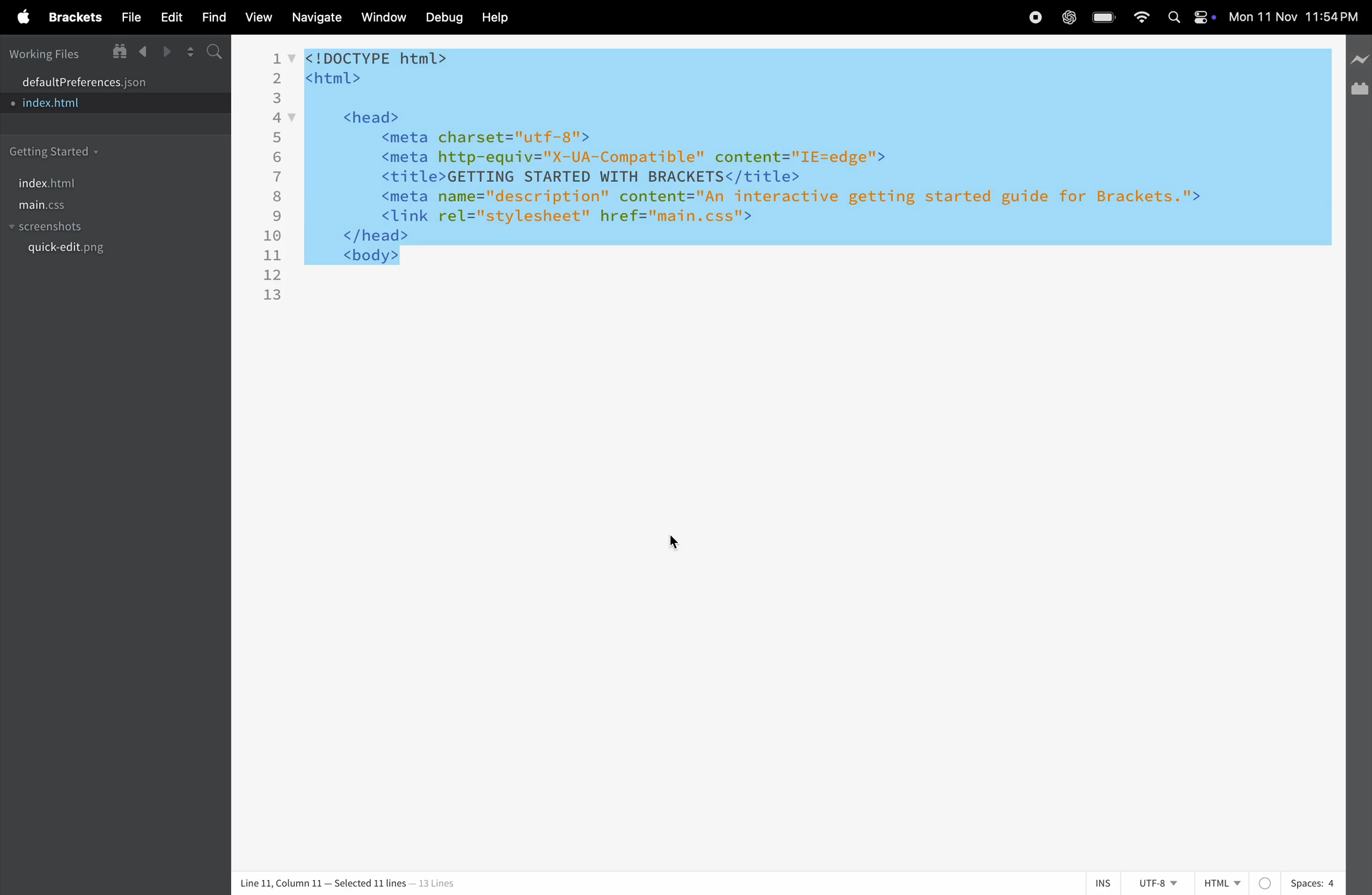  Describe the element at coordinates (273, 236) in the screenshot. I see `10` at that location.